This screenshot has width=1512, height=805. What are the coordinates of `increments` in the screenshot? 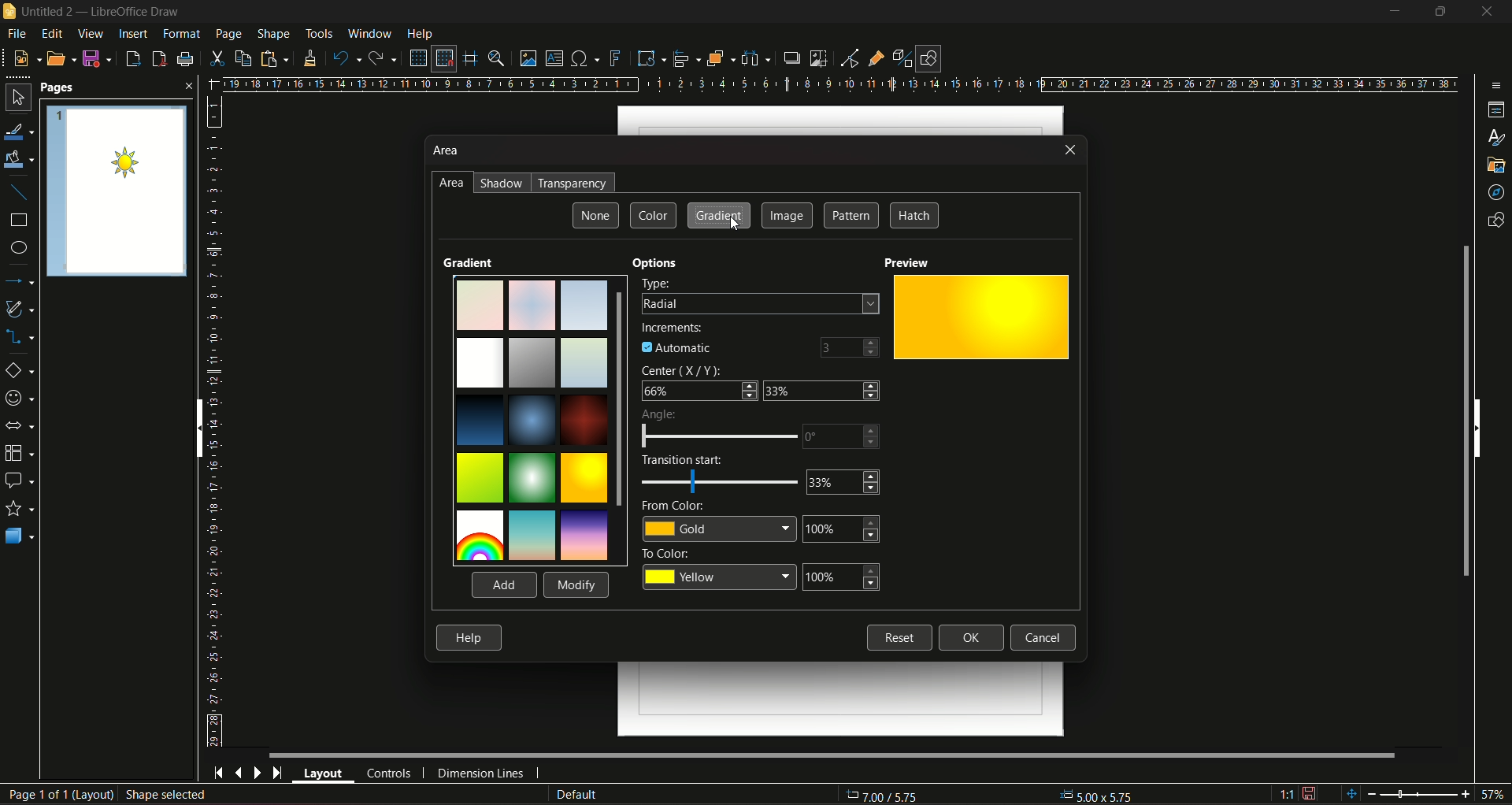 It's located at (682, 338).